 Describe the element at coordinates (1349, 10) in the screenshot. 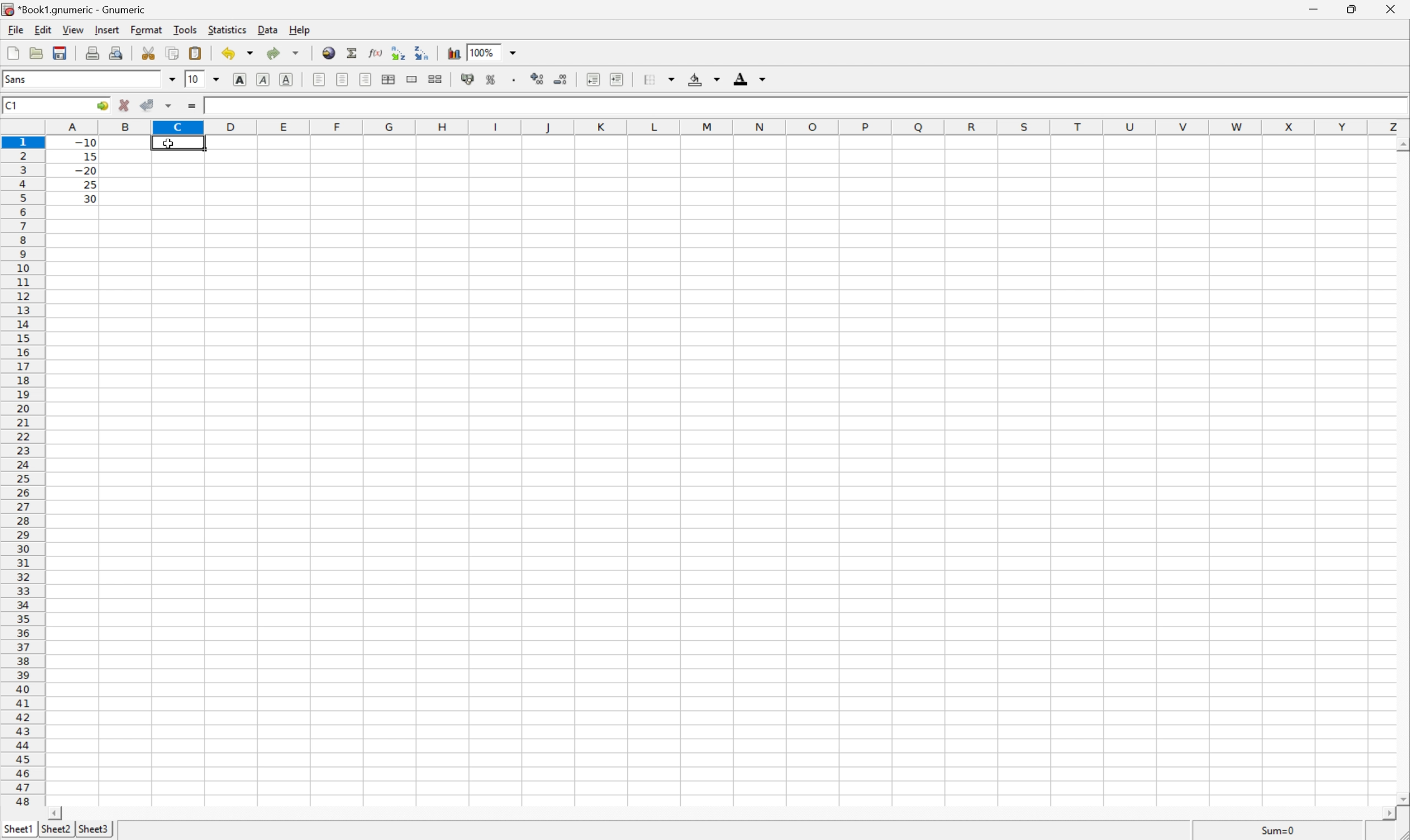

I see `Restore down` at that location.